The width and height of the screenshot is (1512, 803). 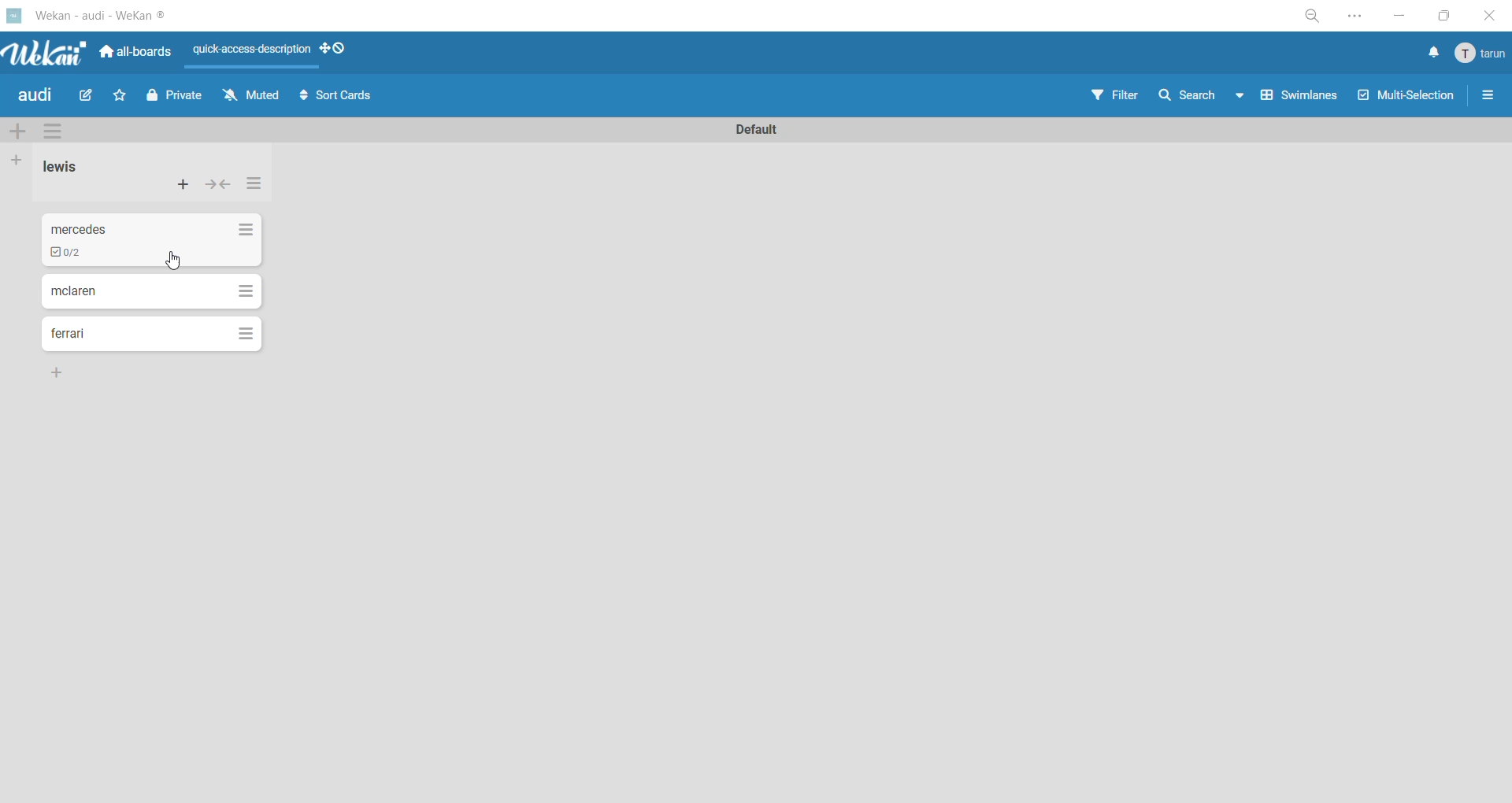 What do you see at coordinates (48, 54) in the screenshot?
I see `app logo` at bounding box center [48, 54].